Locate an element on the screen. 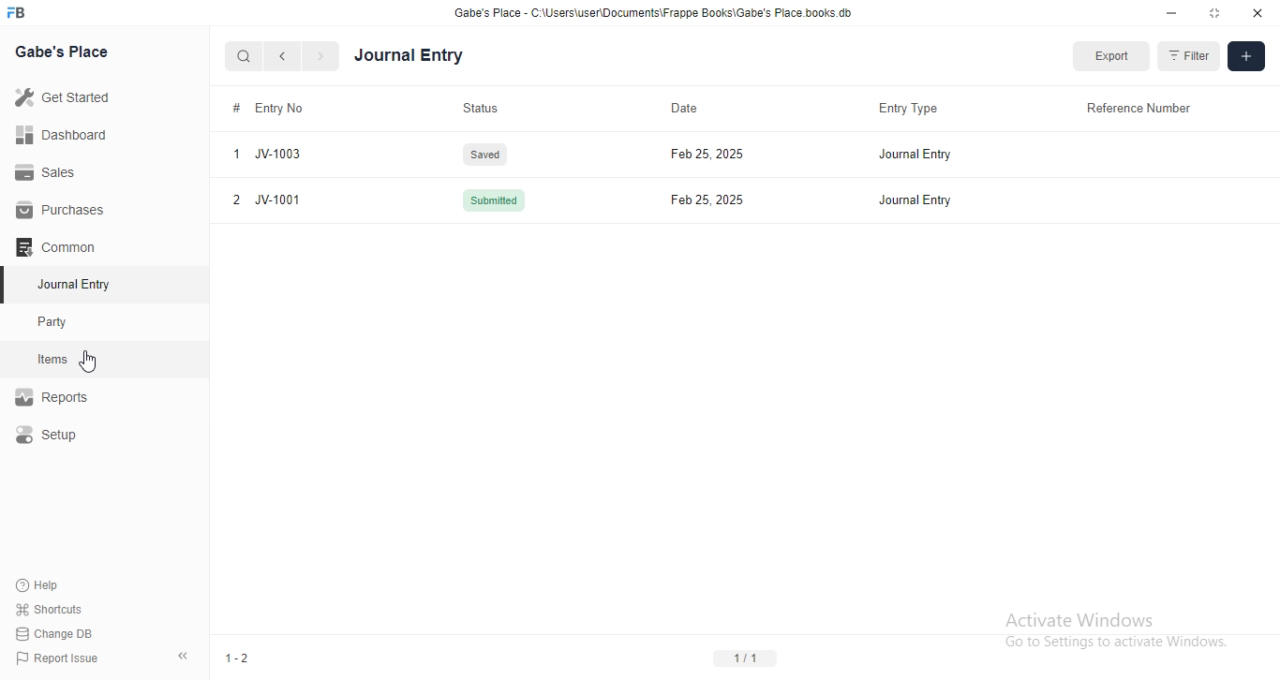  1-2 is located at coordinates (243, 657).